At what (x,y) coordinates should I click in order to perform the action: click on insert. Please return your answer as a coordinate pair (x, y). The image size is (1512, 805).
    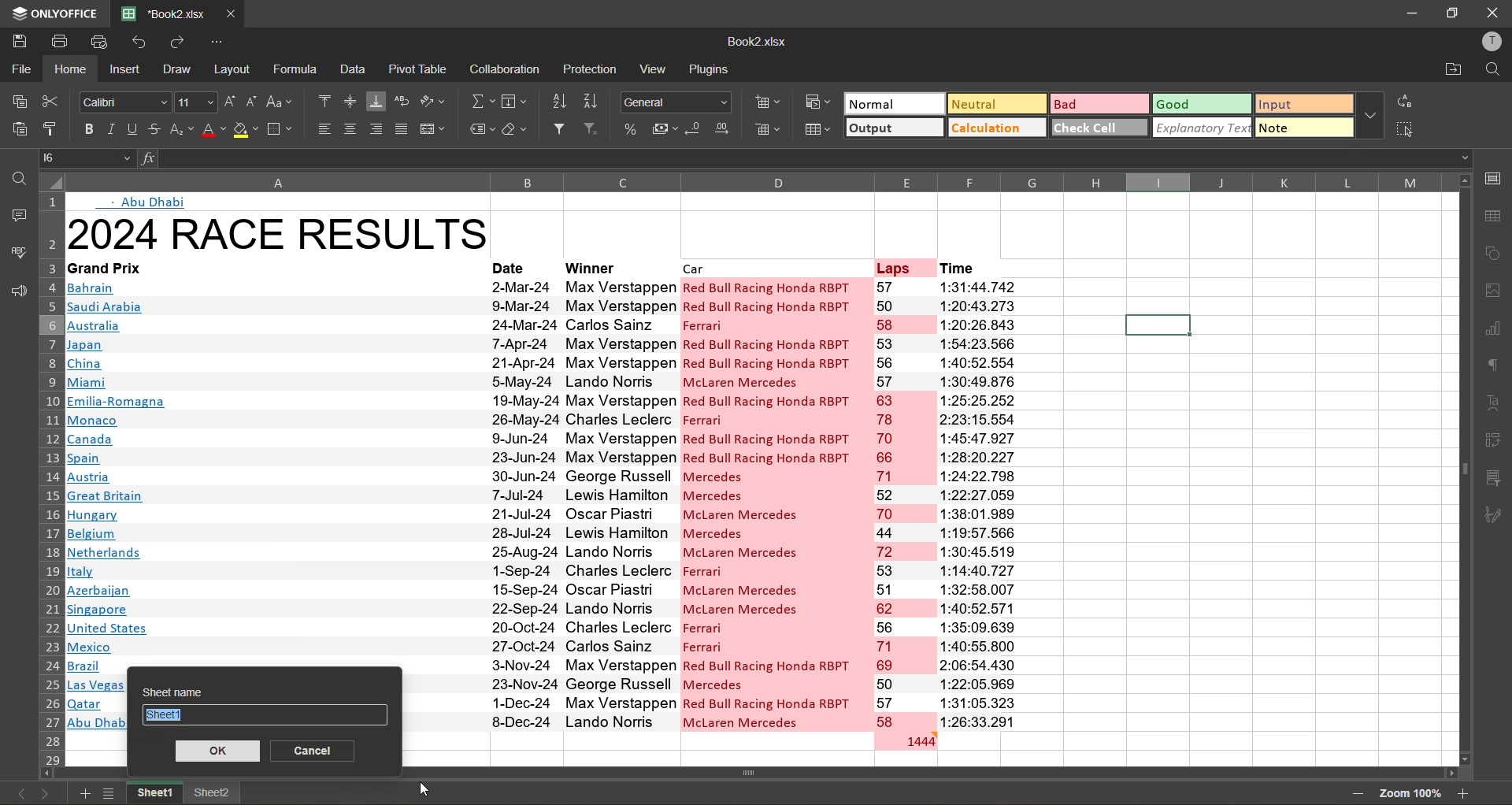
    Looking at the image, I should click on (124, 69).